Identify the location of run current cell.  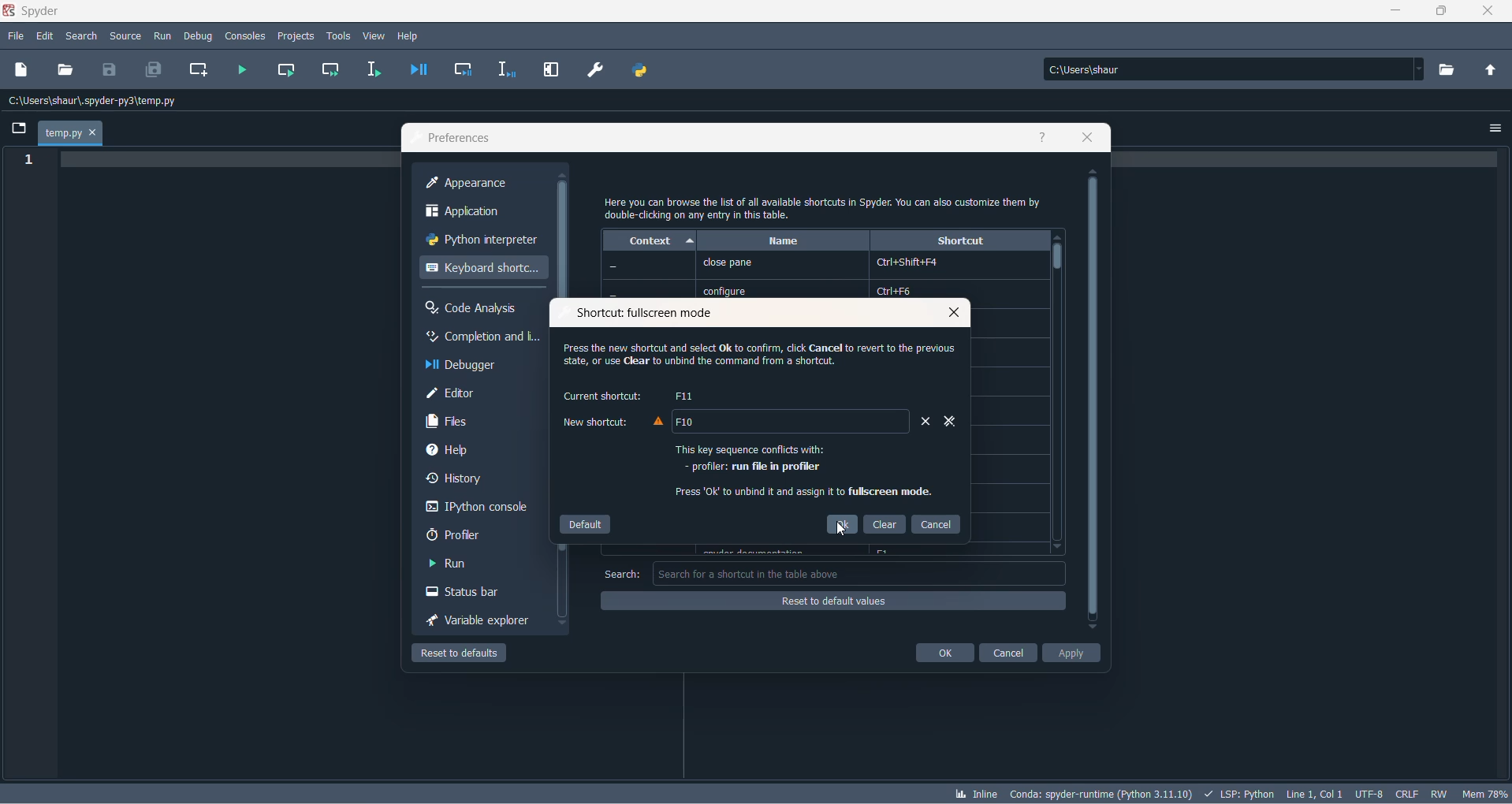
(326, 73).